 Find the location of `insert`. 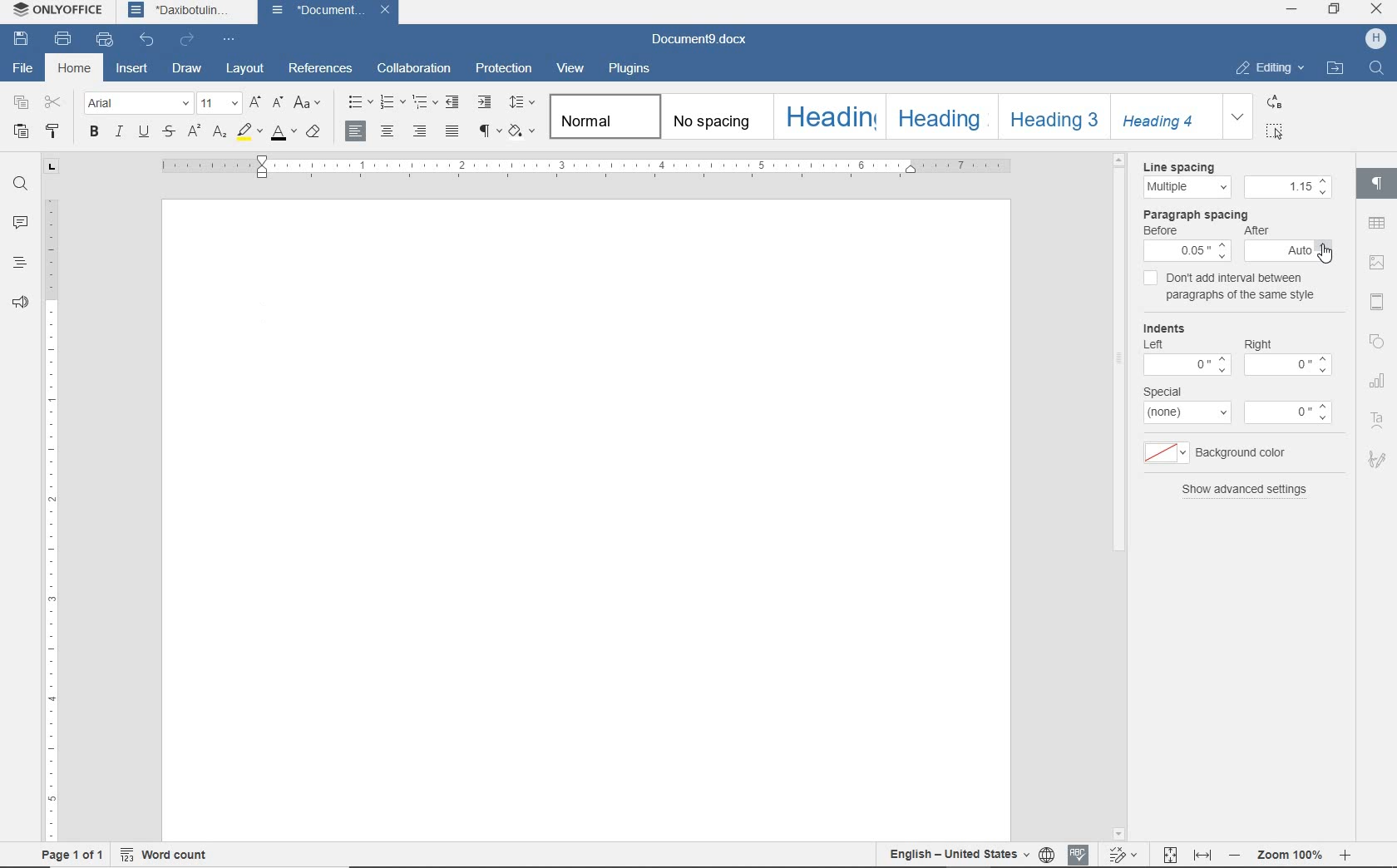

insert is located at coordinates (135, 70).